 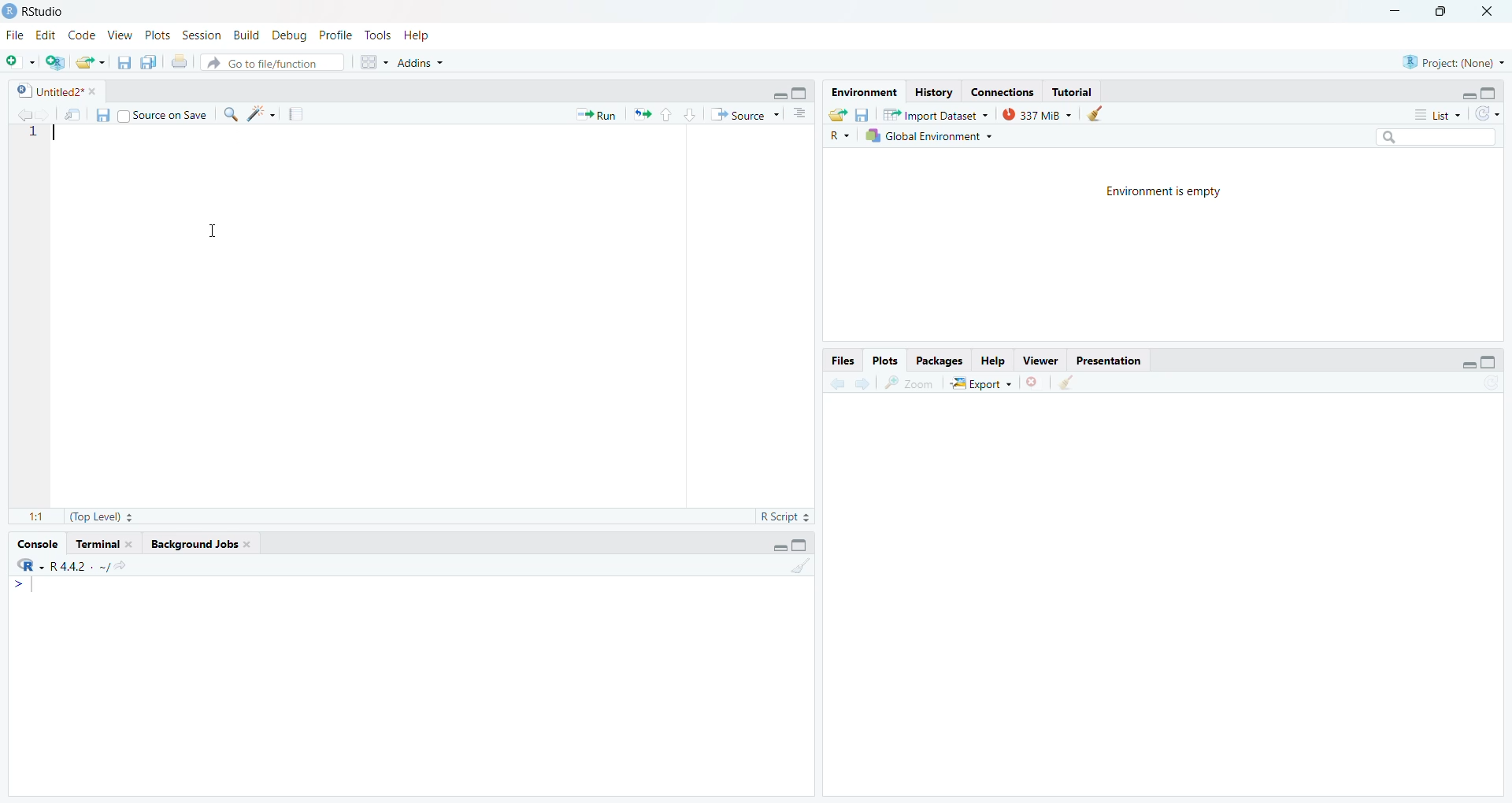 What do you see at coordinates (1490, 113) in the screenshot?
I see `refresh` at bounding box center [1490, 113].